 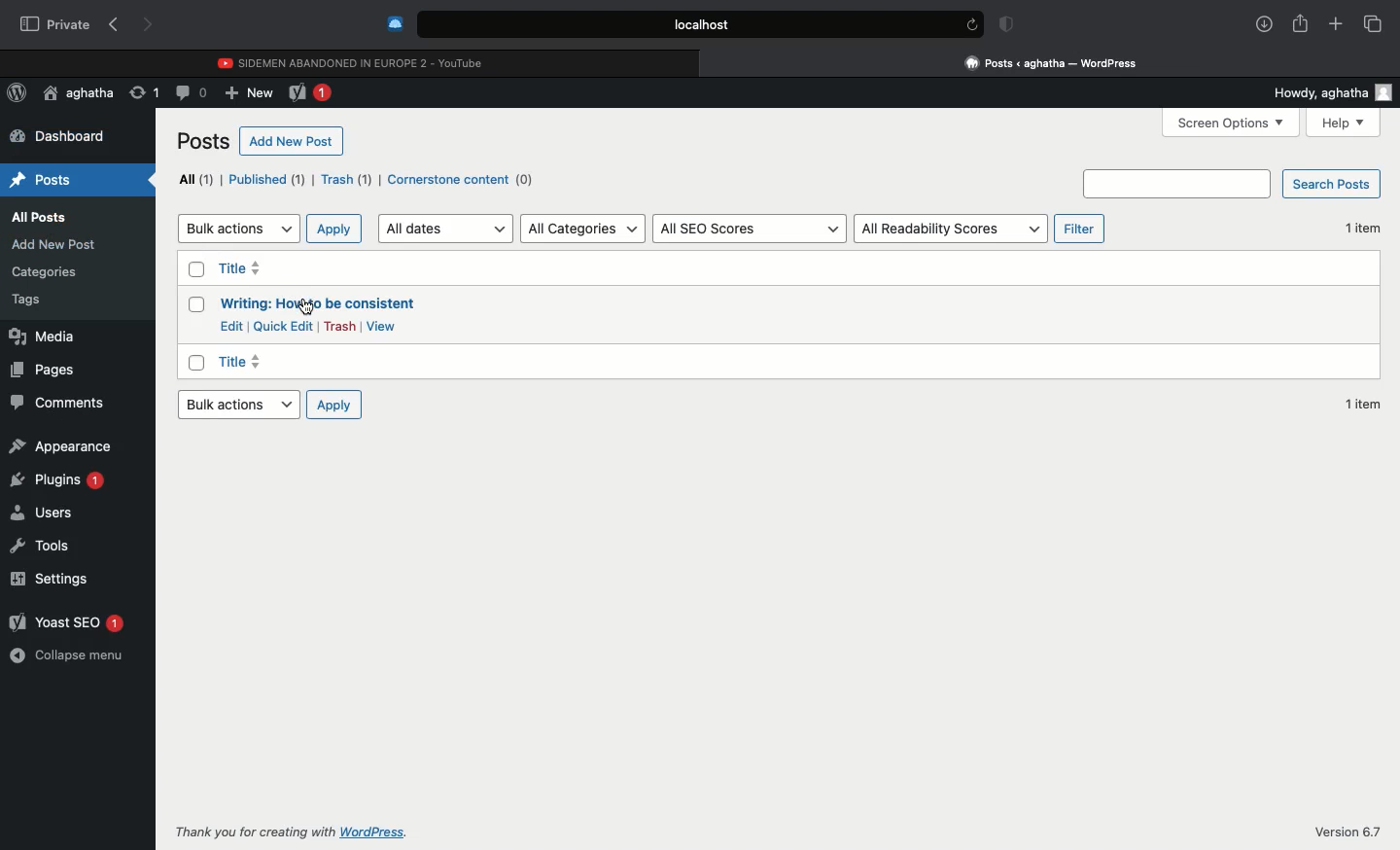 I want to click on checkbox, so click(x=194, y=304).